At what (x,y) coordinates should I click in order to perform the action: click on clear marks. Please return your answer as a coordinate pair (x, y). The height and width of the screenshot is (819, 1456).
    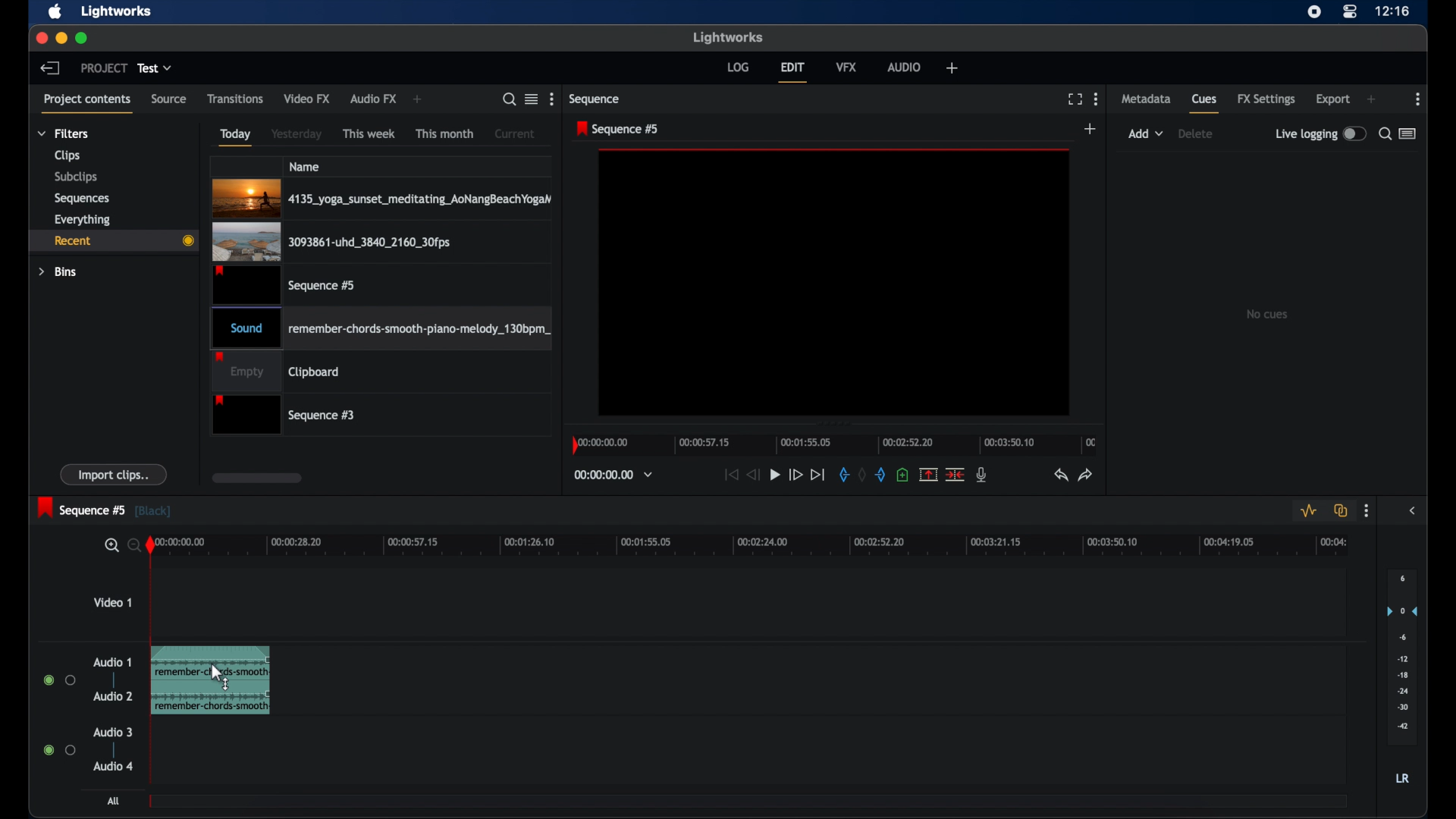
    Looking at the image, I should click on (861, 475).